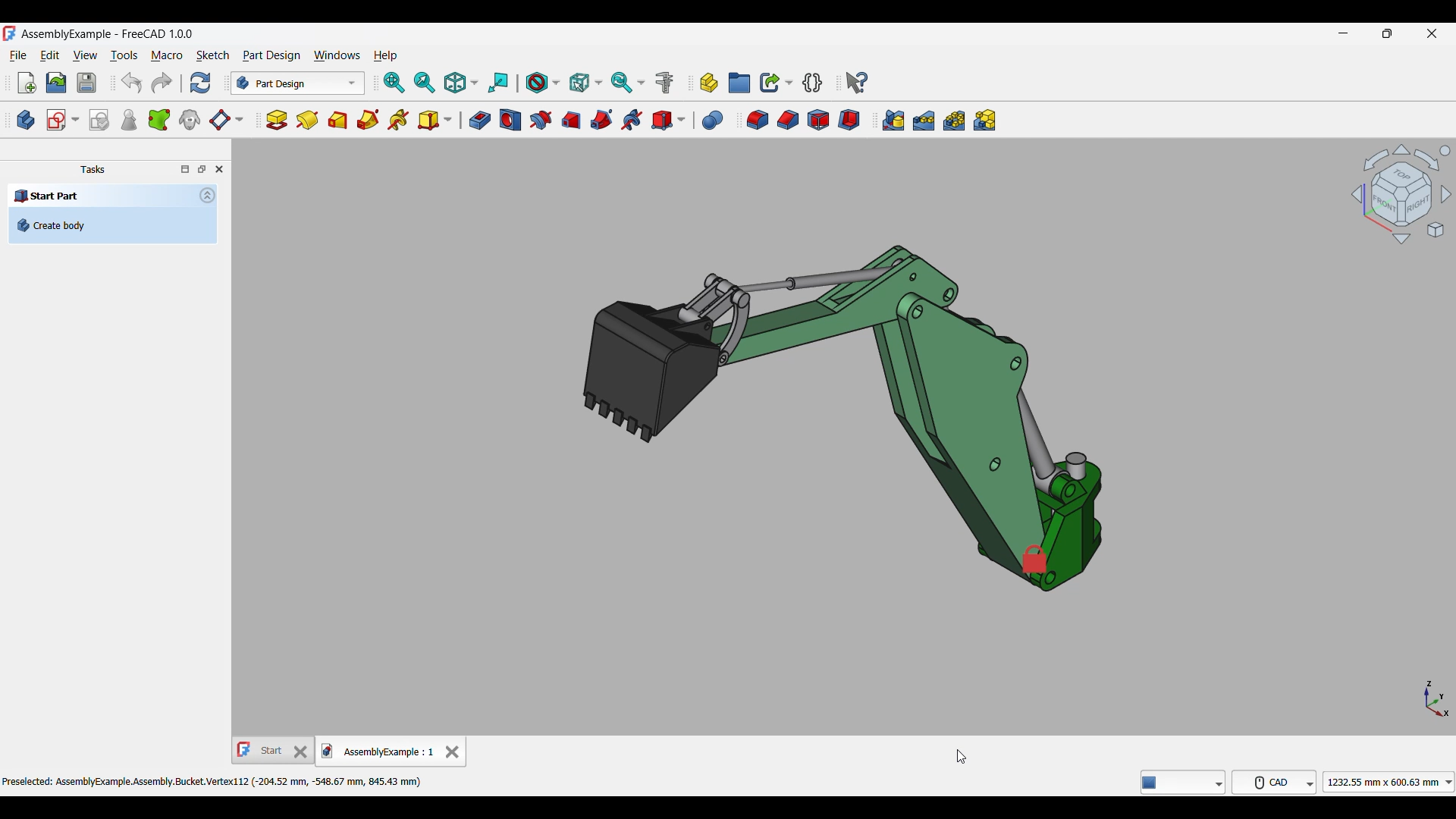 The width and height of the screenshot is (1456, 819). What do you see at coordinates (56, 83) in the screenshot?
I see `Open` at bounding box center [56, 83].